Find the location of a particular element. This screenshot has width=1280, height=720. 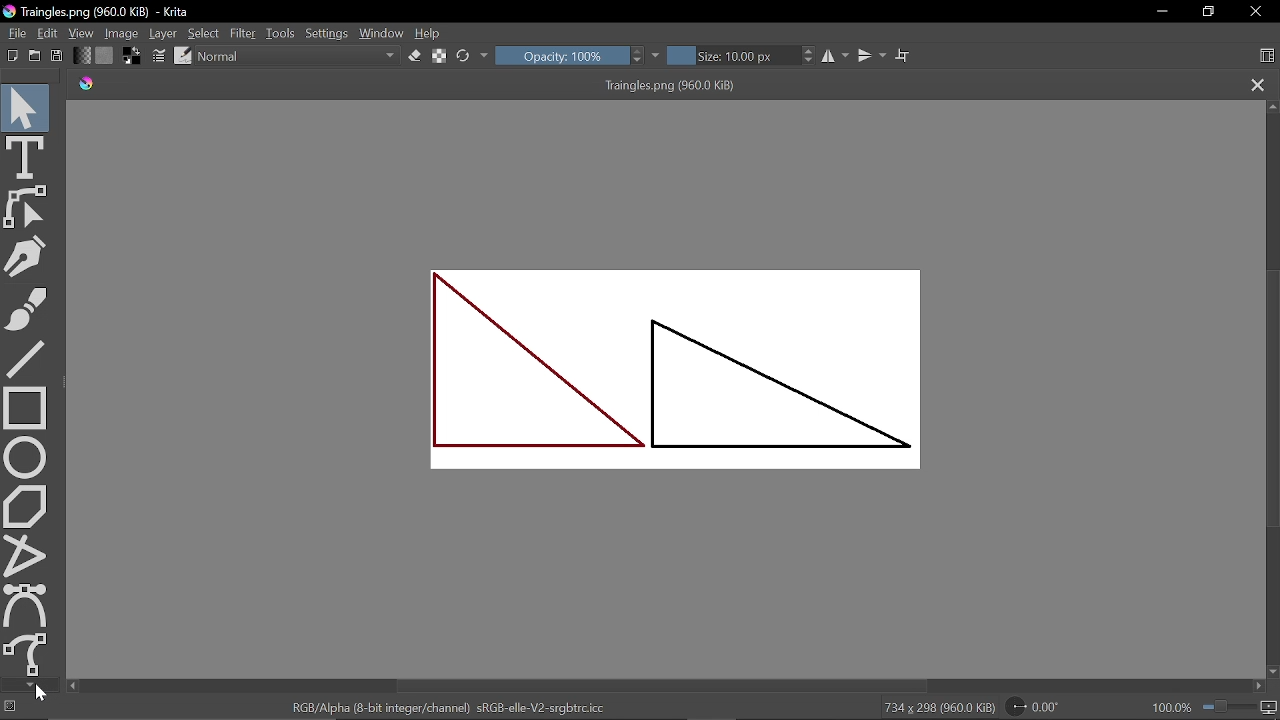

Scroll bar is located at coordinates (1271, 401).